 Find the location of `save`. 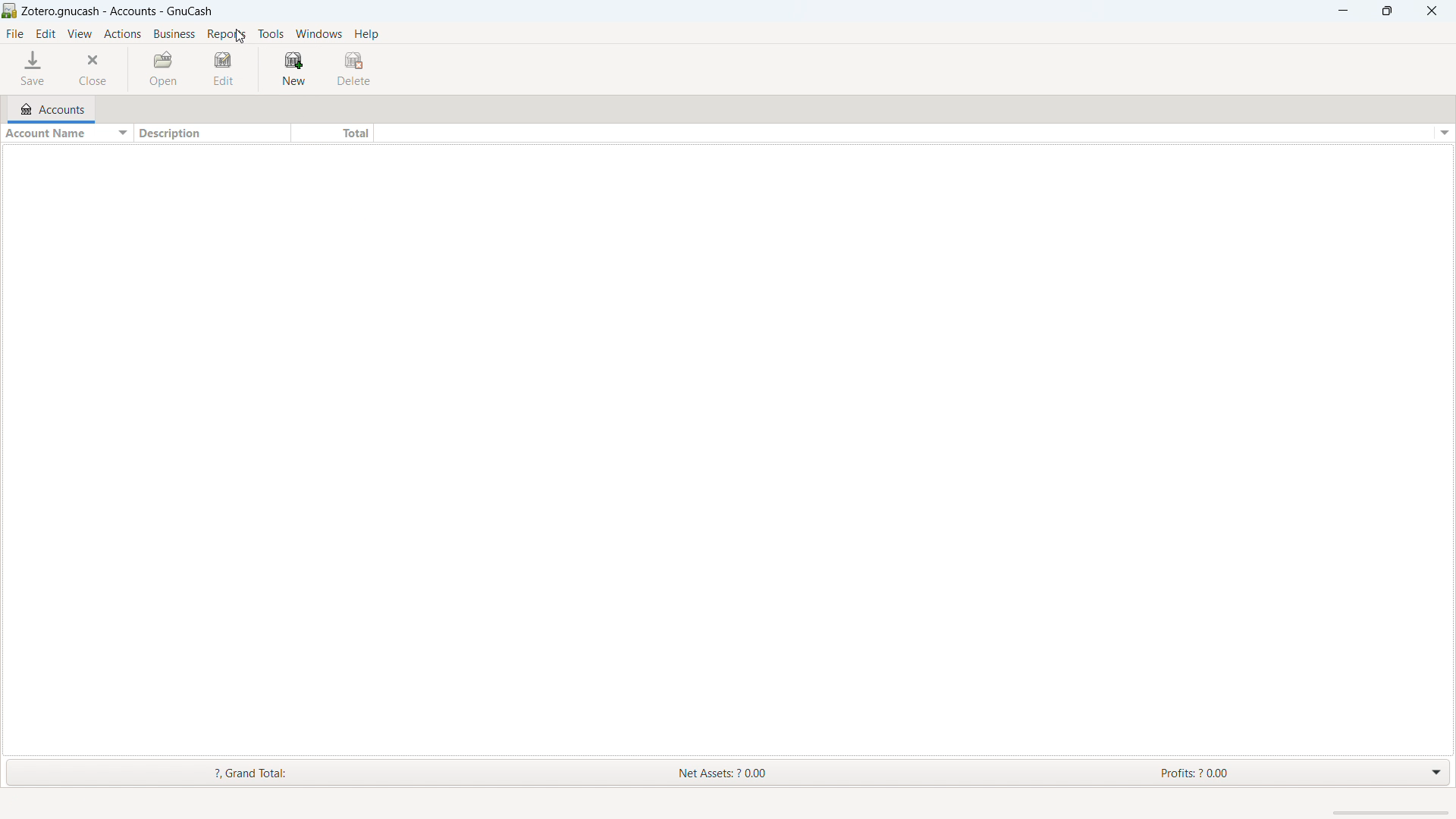

save is located at coordinates (33, 69).